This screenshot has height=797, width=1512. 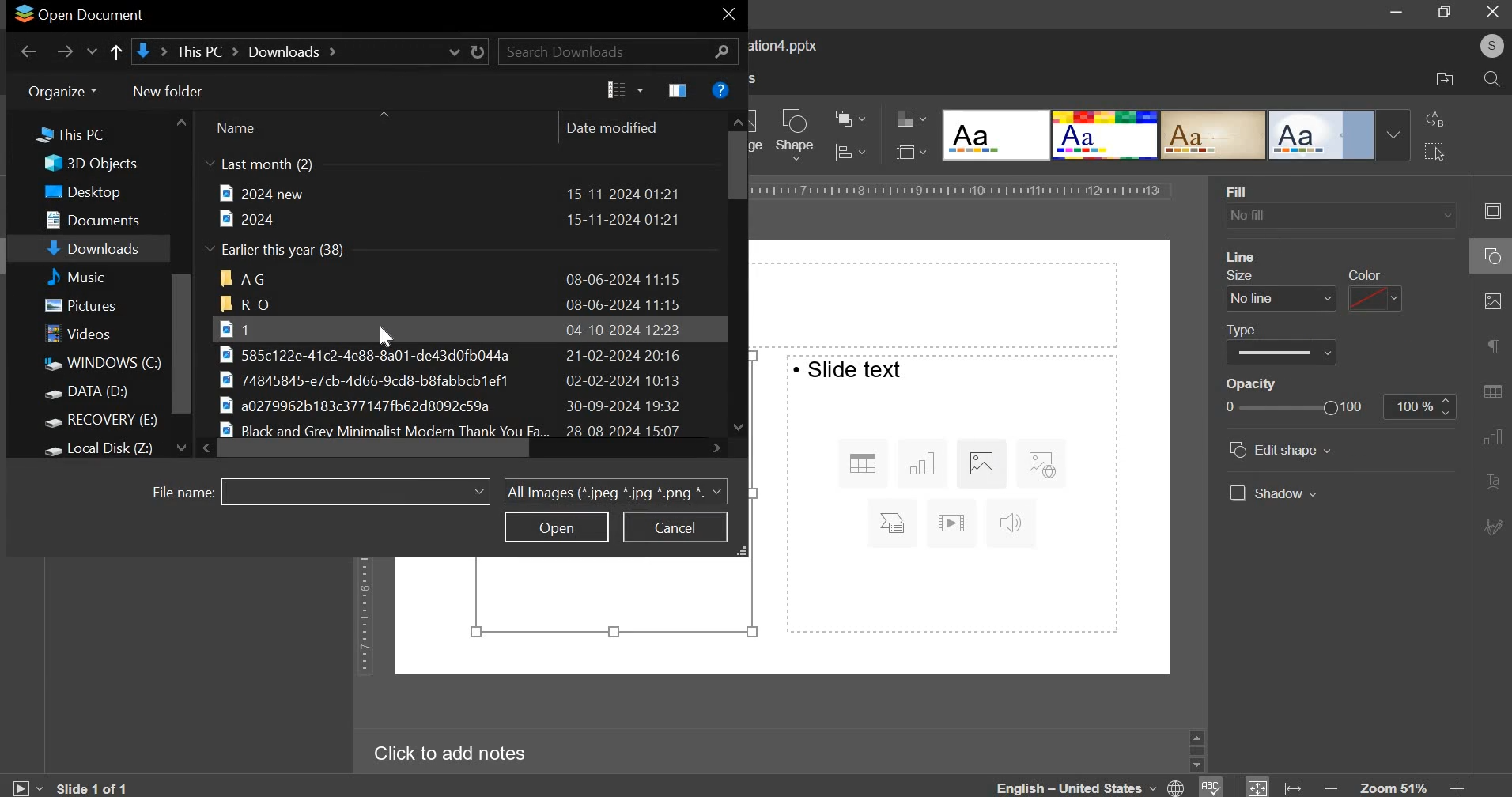 I want to click on increase zoom, so click(x=1457, y=788).